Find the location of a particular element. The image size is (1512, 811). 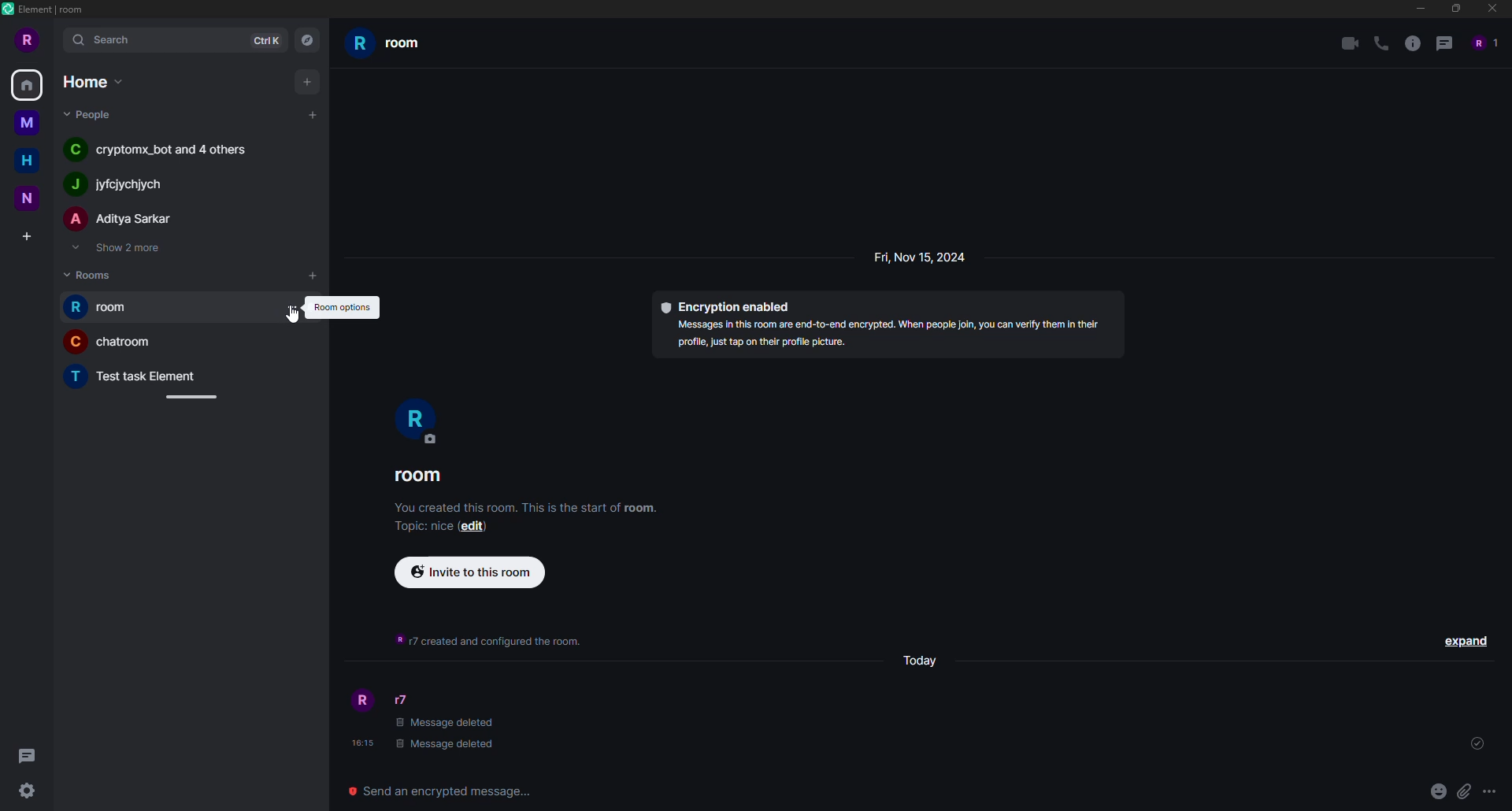

h is located at coordinates (33, 164).